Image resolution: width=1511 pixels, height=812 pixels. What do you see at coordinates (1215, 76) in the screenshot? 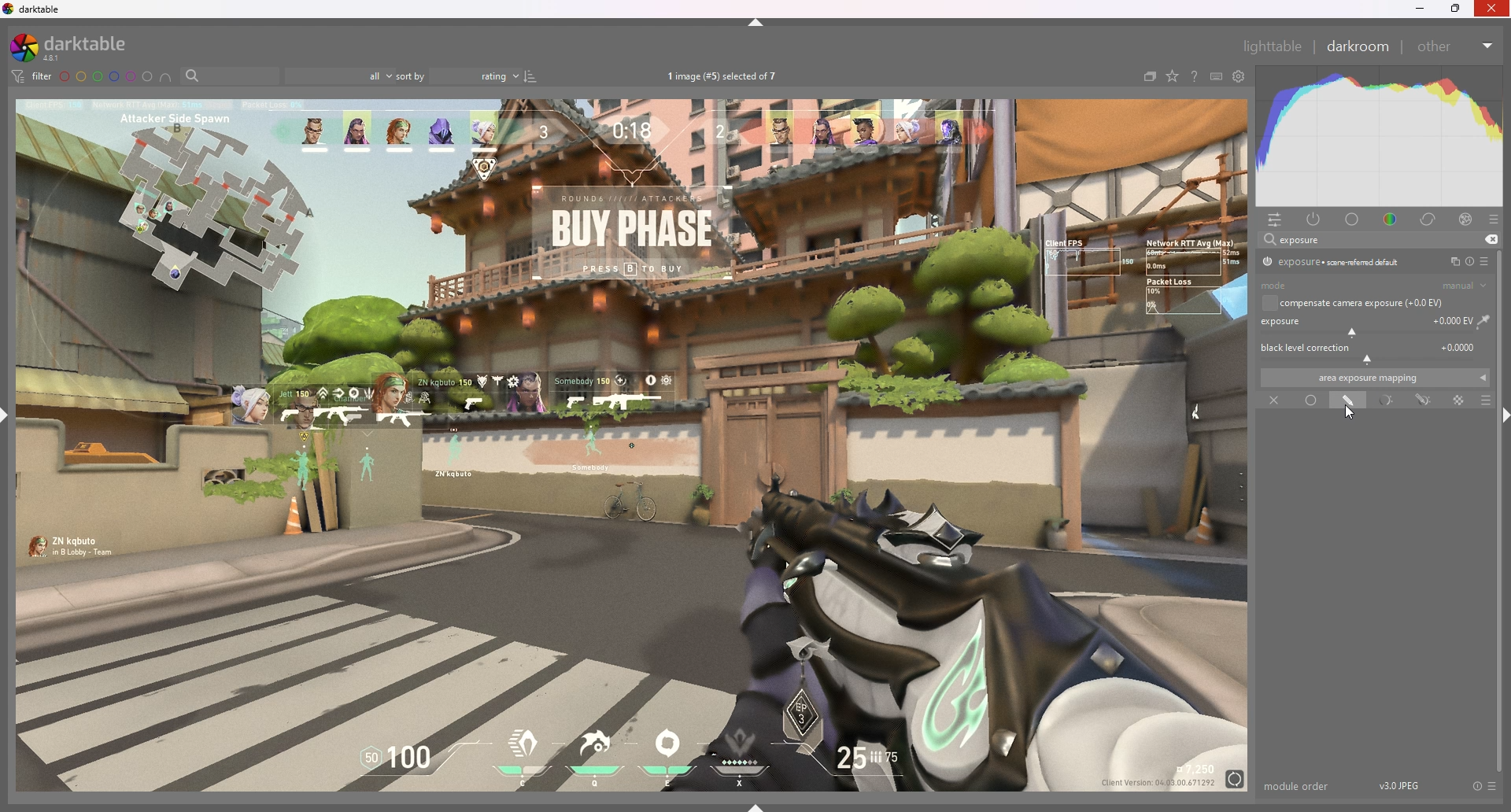
I see `keyboars shortcut` at bounding box center [1215, 76].